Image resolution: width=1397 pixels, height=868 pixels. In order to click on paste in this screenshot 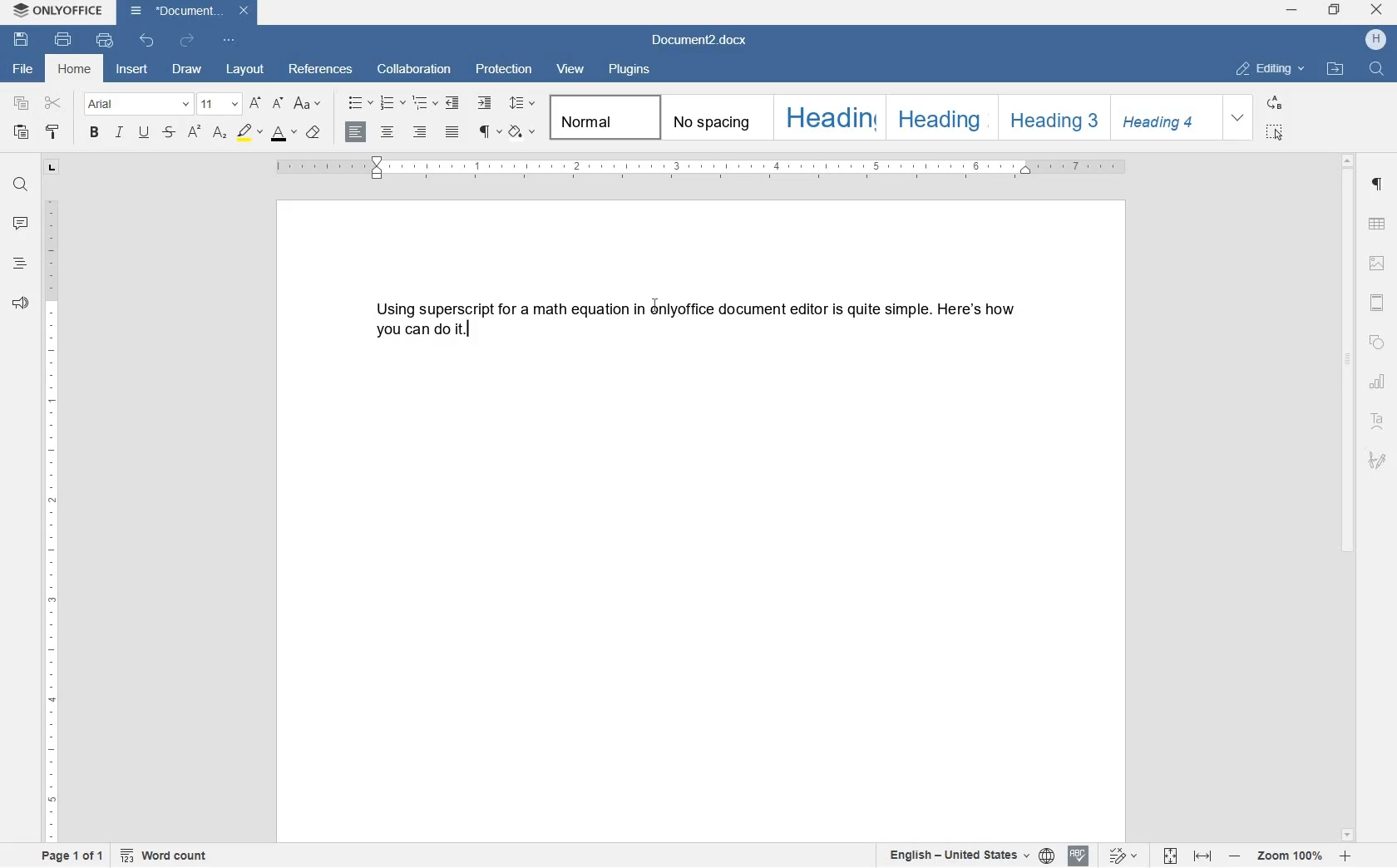, I will do `click(21, 133)`.